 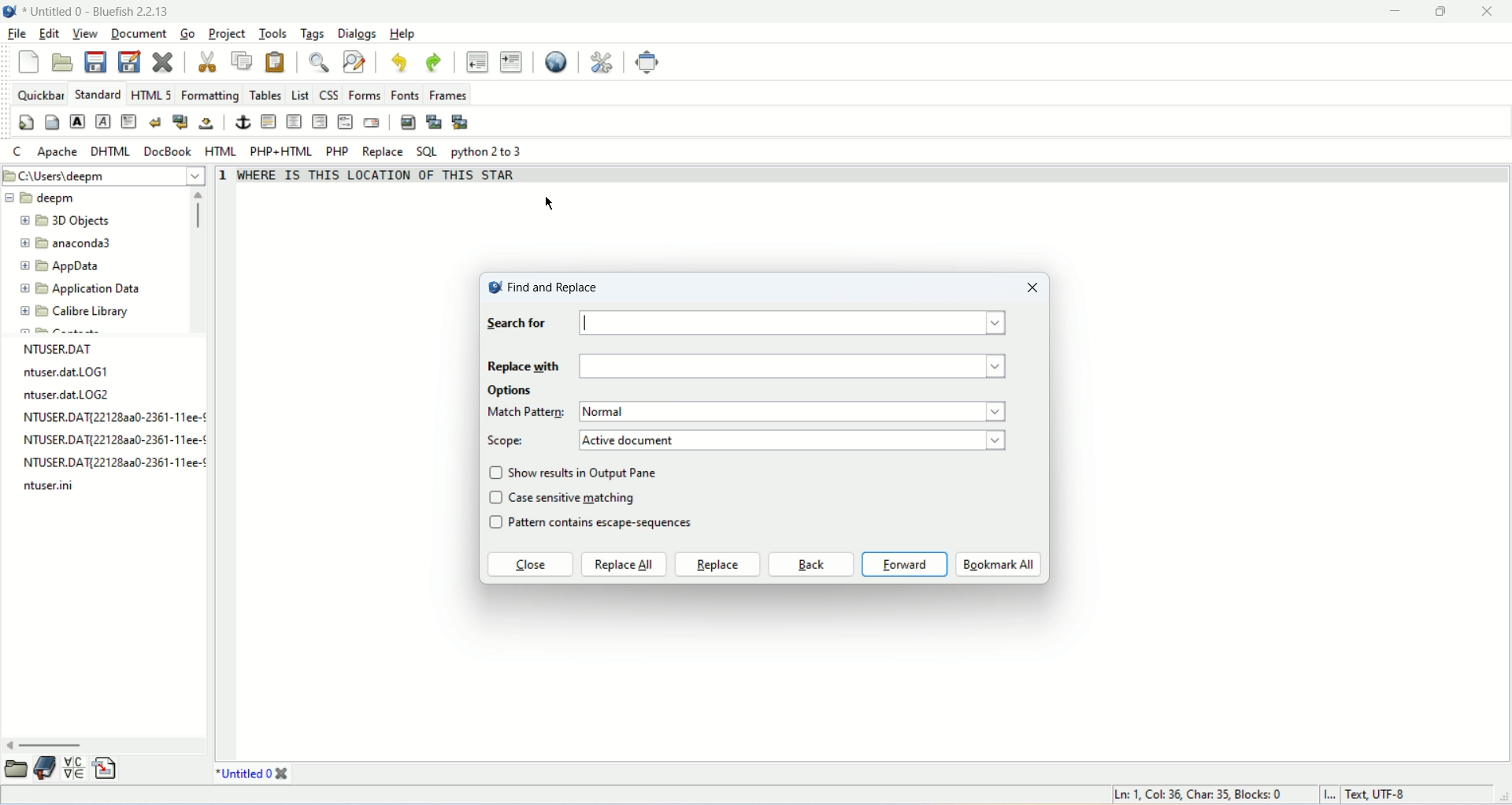 What do you see at coordinates (509, 441) in the screenshot?
I see `scope` at bounding box center [509, 441].